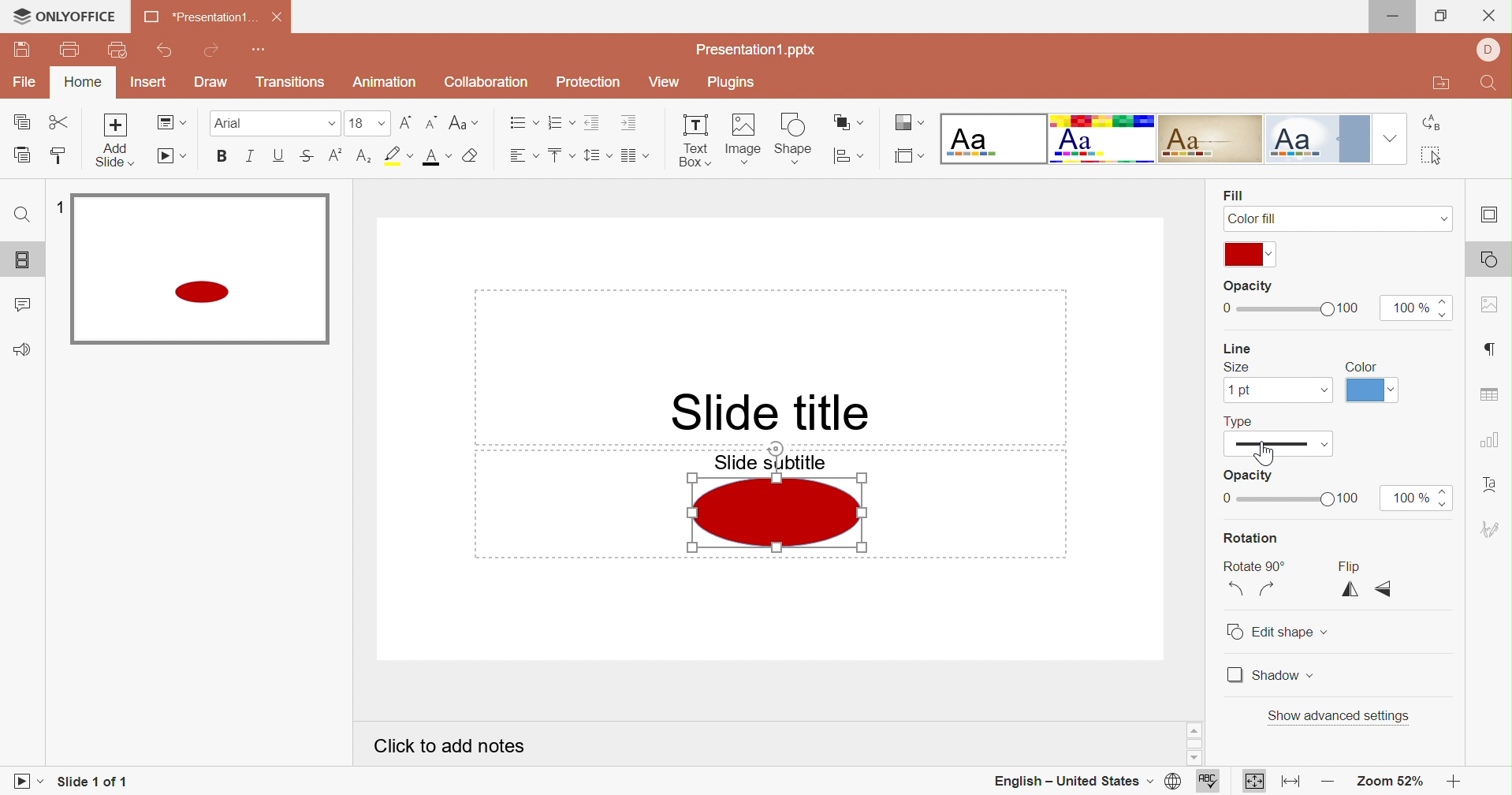 Image resolution: width=1512 pixels, height=795 pixels. What do you see at coordinates (597, 155) in the screenshot?
I see `Line spacing` at bounding box center [597, 155].